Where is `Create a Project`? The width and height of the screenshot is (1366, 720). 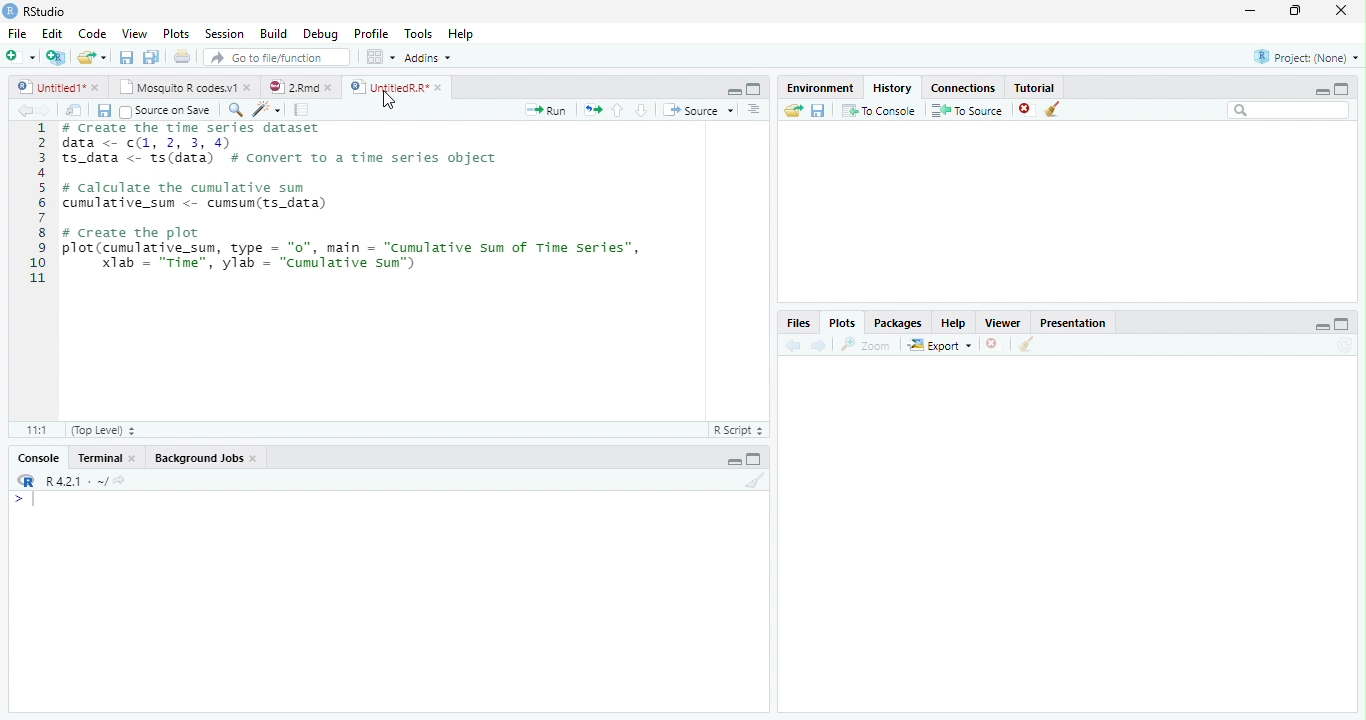 Create a Project is located at coordinates (56, 58).